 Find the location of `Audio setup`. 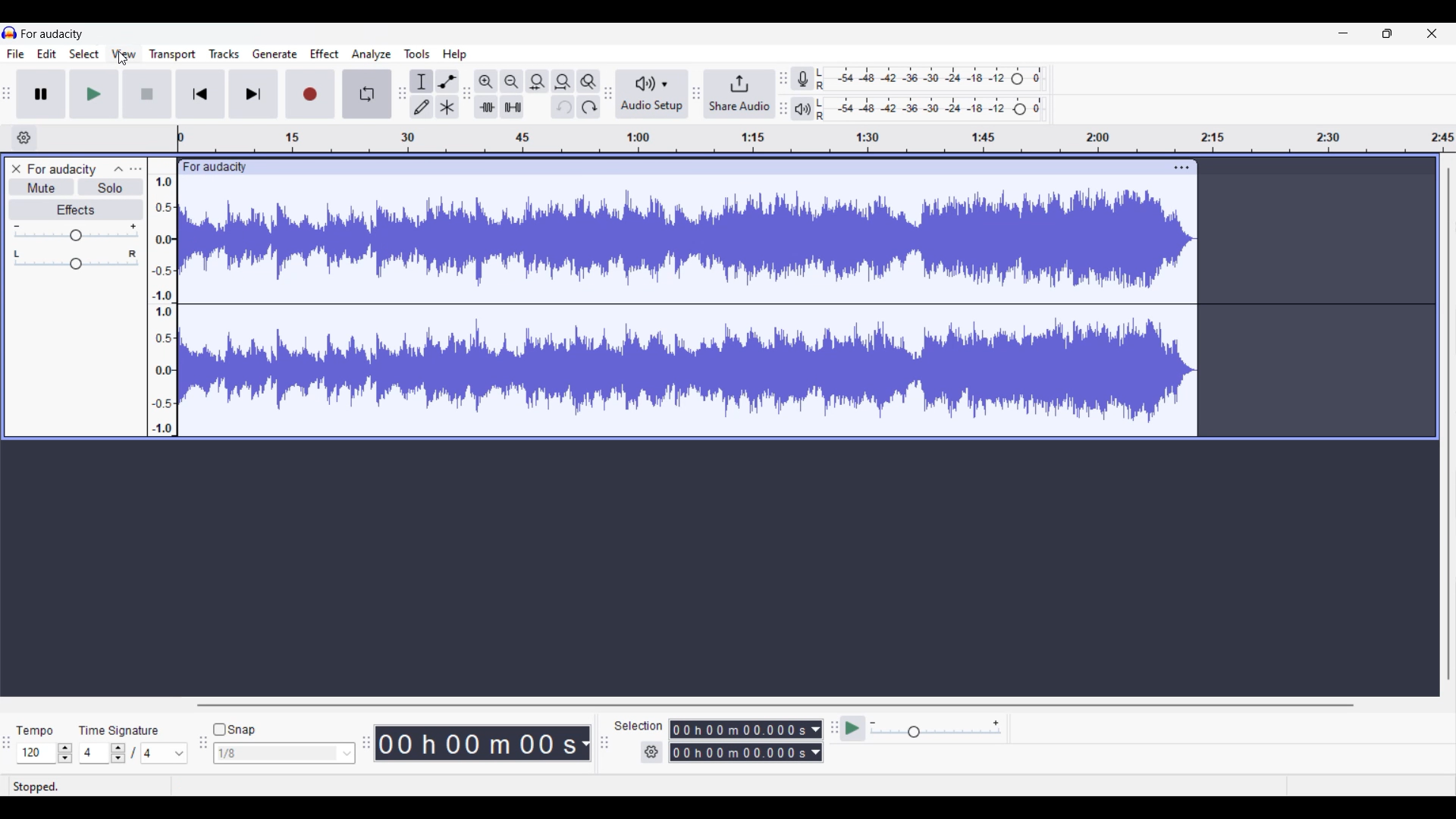

Audio setup is located at coordinates (652, 94).